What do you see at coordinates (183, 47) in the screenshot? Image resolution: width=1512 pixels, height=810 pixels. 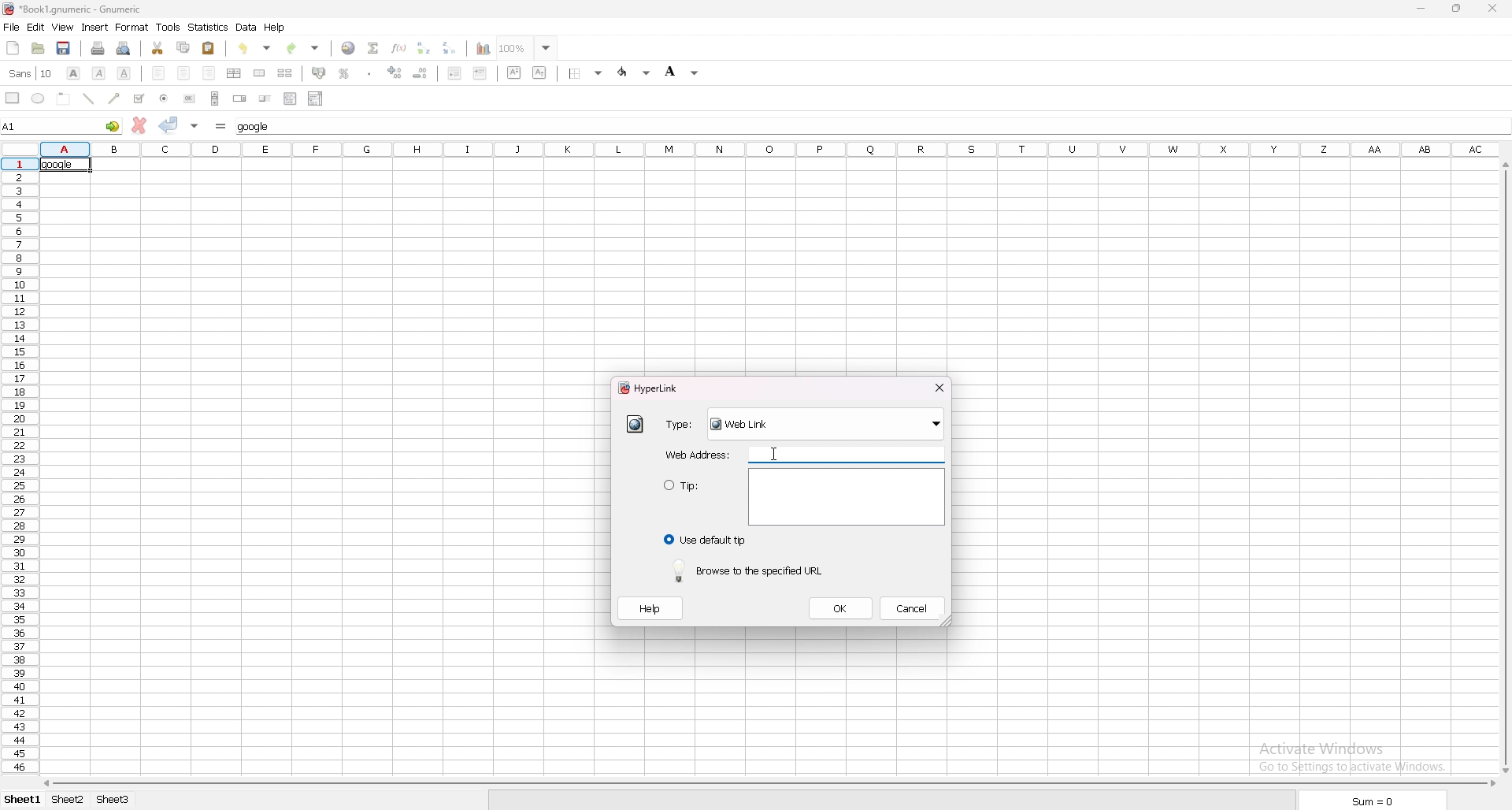 I see `copy` at bounding box center [183, 47].